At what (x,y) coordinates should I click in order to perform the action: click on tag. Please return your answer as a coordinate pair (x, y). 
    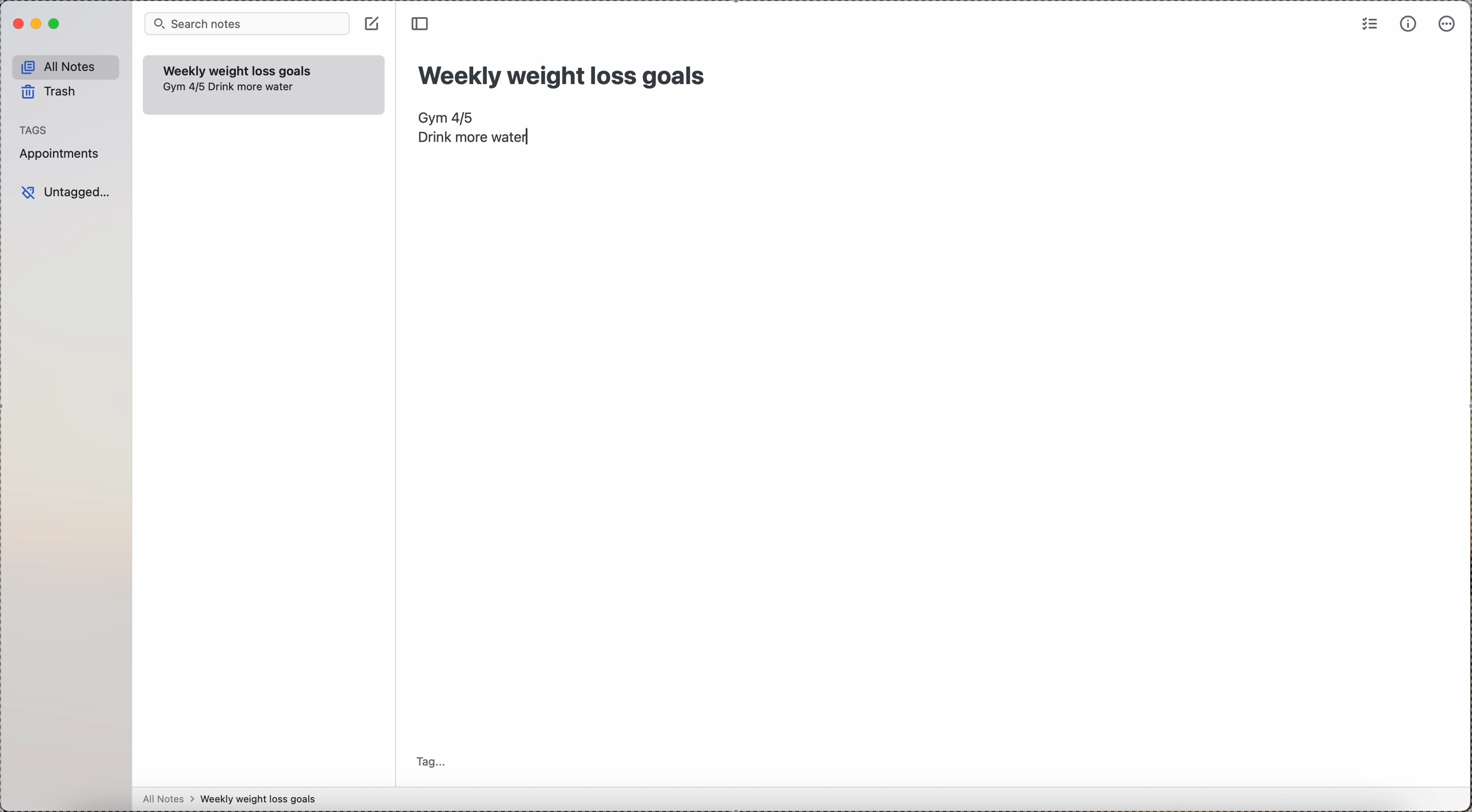
    Looking at the image, I should click on (435, 760).